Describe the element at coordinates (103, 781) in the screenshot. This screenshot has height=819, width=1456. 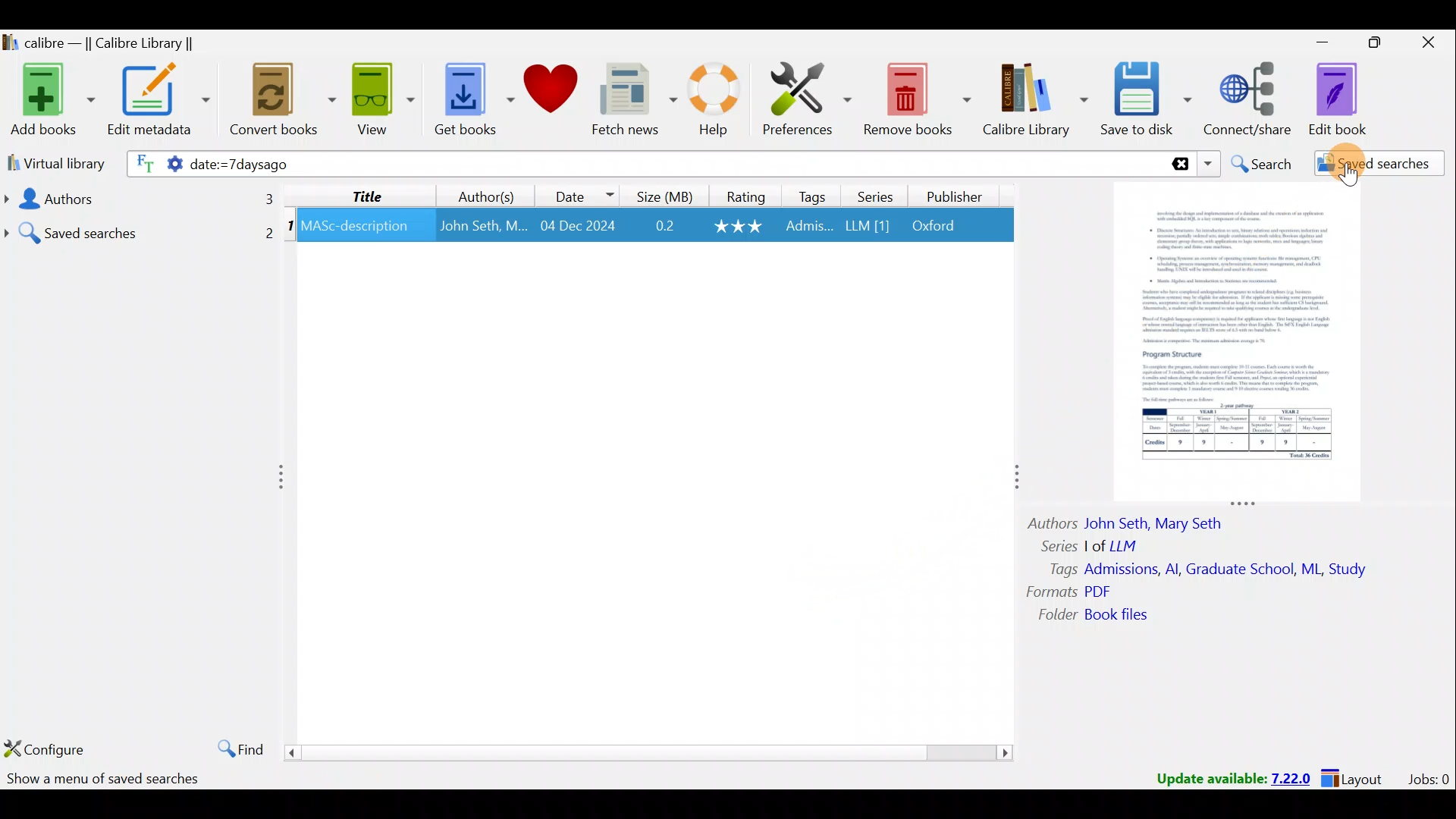
I see `Show a menu of saved searches` at that location.